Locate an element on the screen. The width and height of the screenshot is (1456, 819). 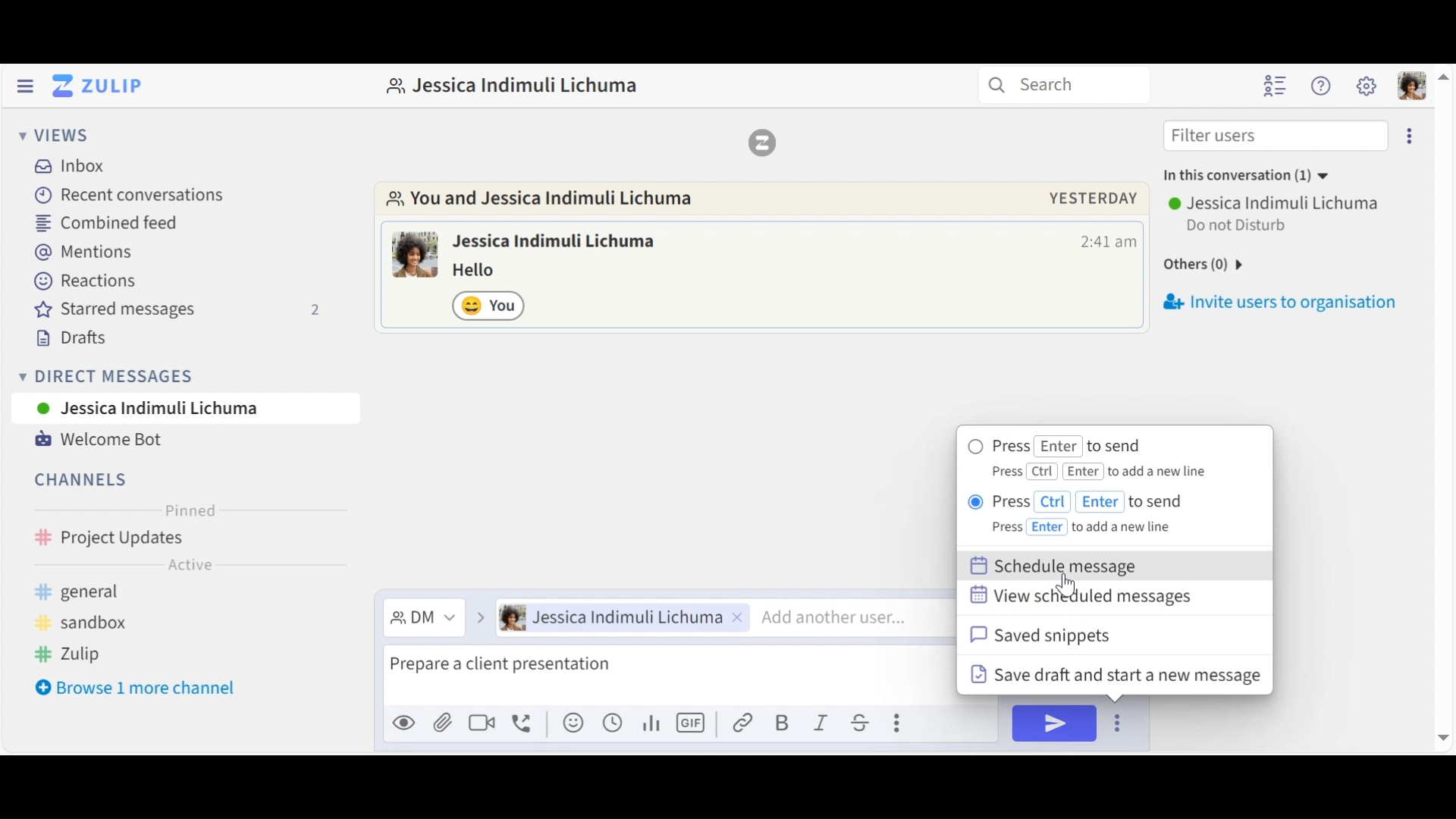
Send is located at coordinates (1053, 723).